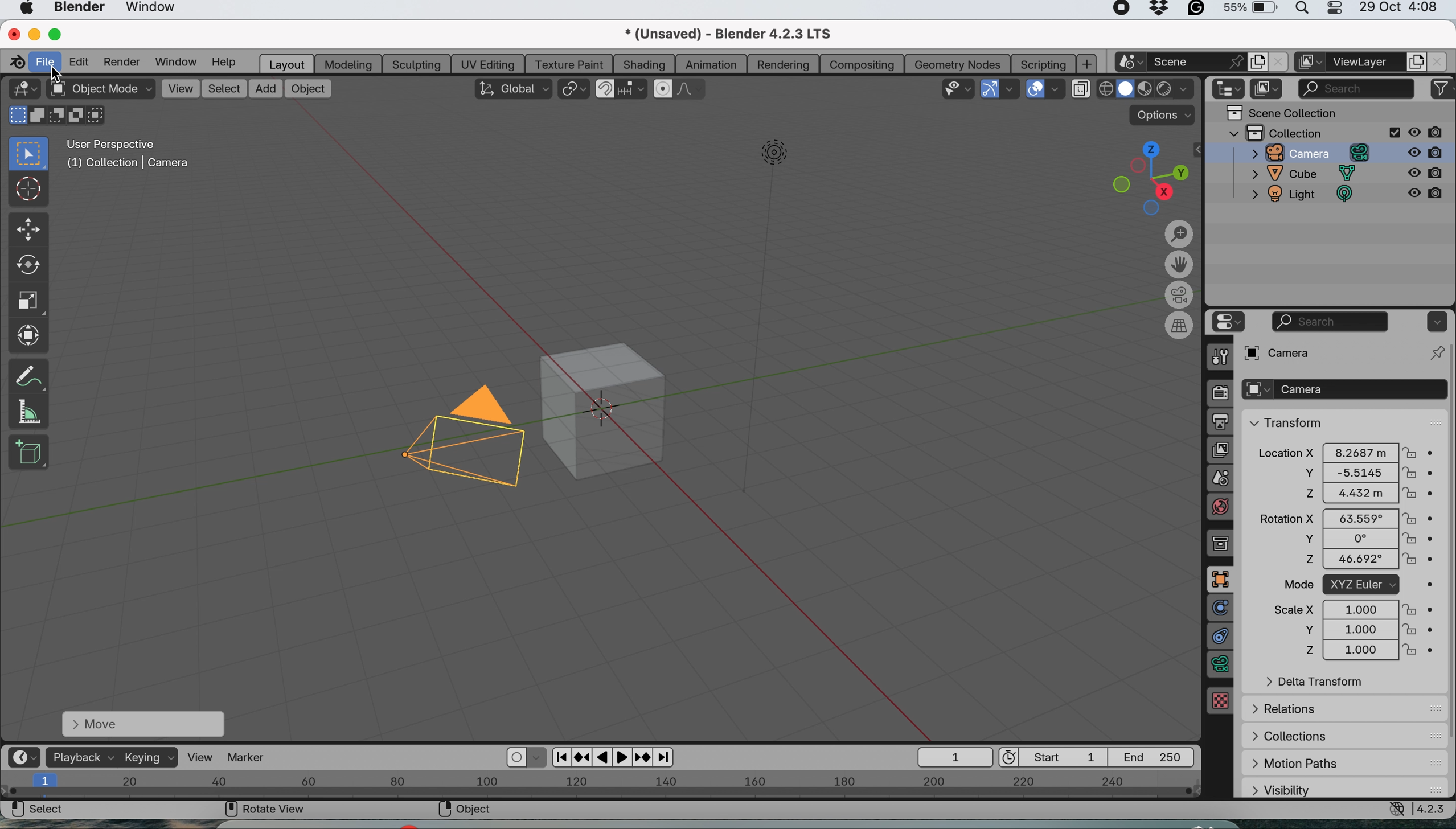 Image resolution: width=1456 pixels, height=829 pixels. What do you see at coordinates (1310, 764) in the screenshot?
I see `motion paths` at bounding box center [1310, 764].